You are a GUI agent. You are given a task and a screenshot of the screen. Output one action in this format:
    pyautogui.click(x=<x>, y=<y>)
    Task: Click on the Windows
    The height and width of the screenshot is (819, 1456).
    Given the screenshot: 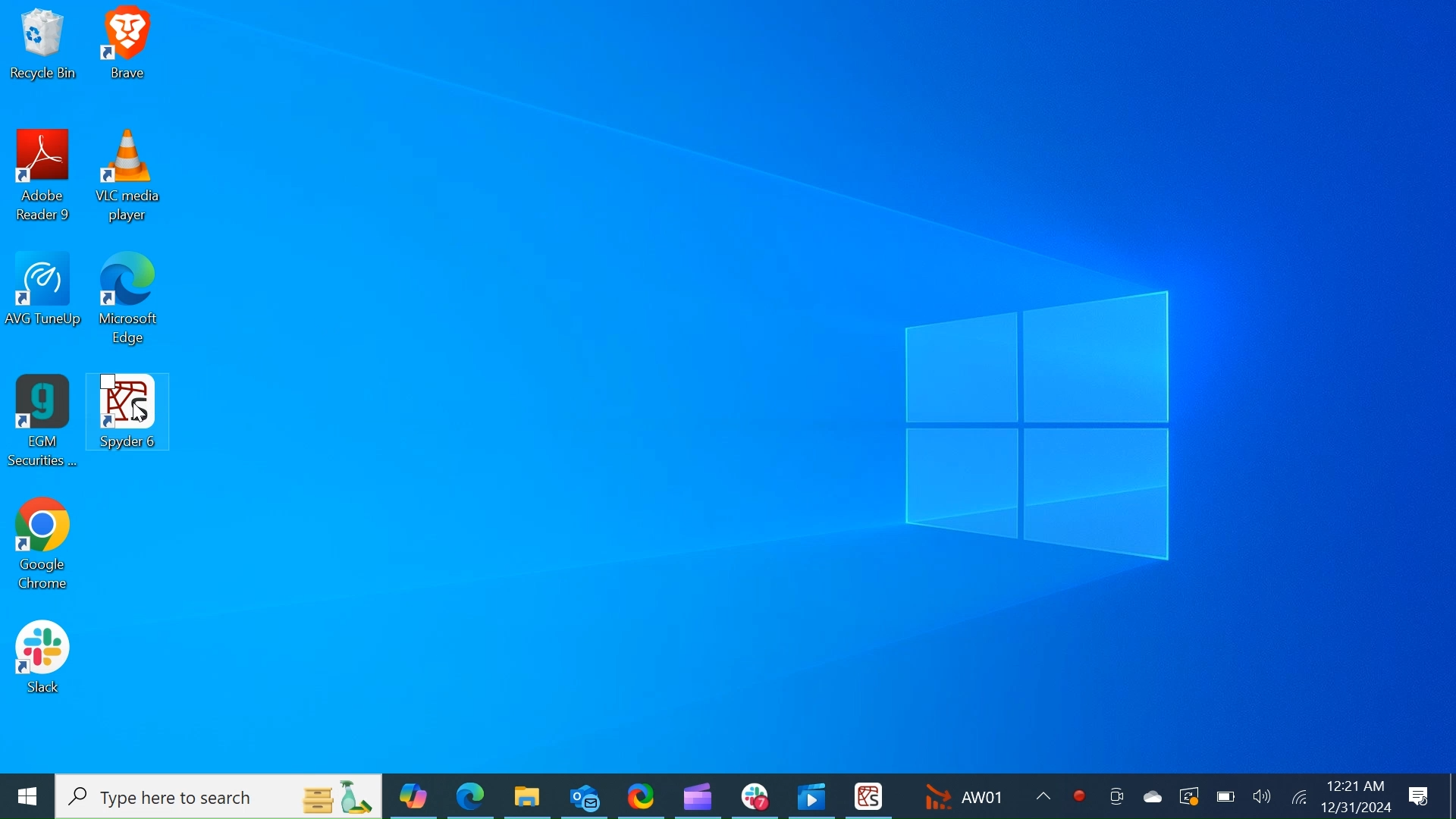 What is the action you would take?
    pyautogui.click(x=27, y=795)
    